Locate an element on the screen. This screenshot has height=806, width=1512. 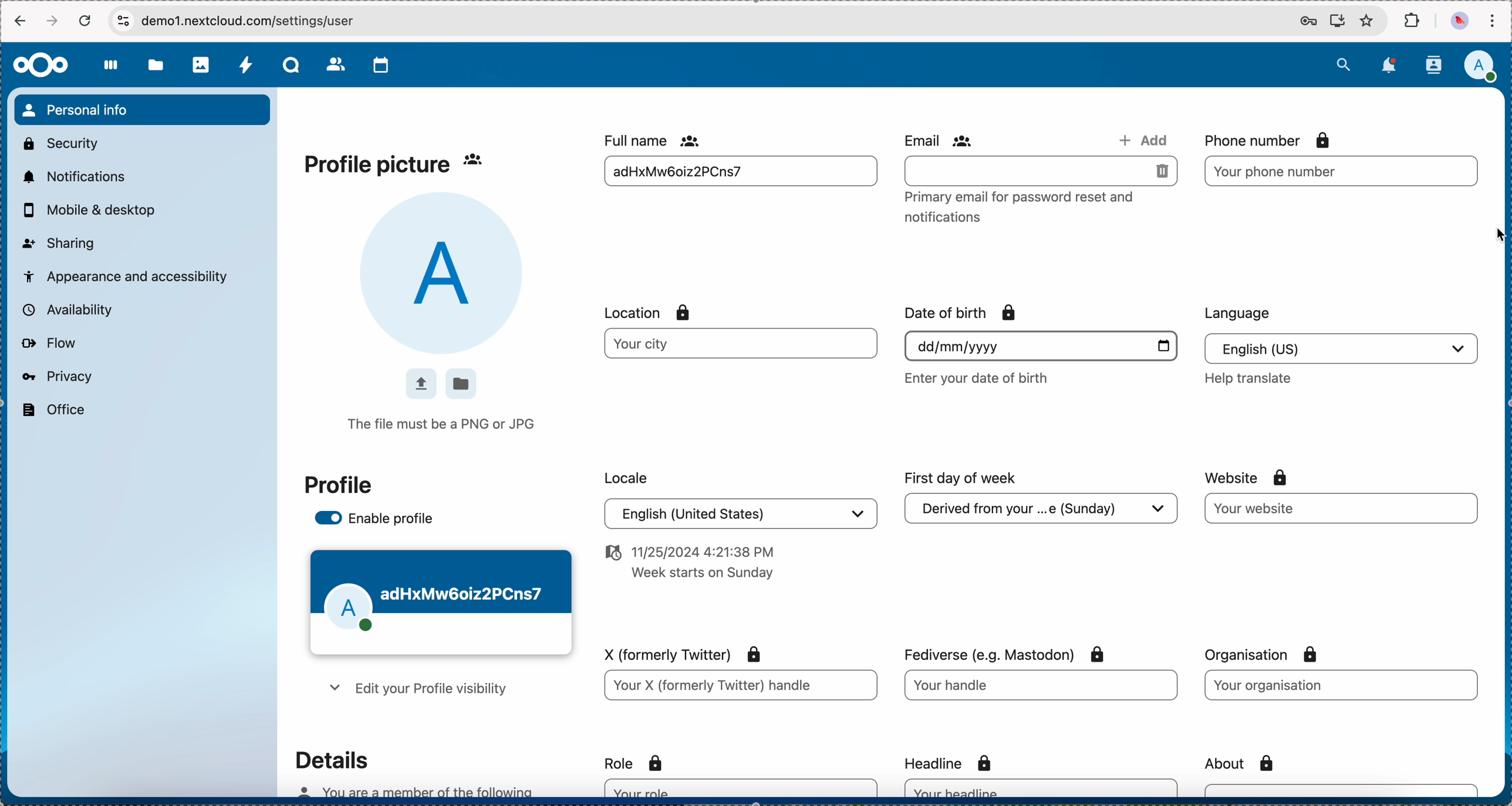
office is located at coordinates (52, 410).